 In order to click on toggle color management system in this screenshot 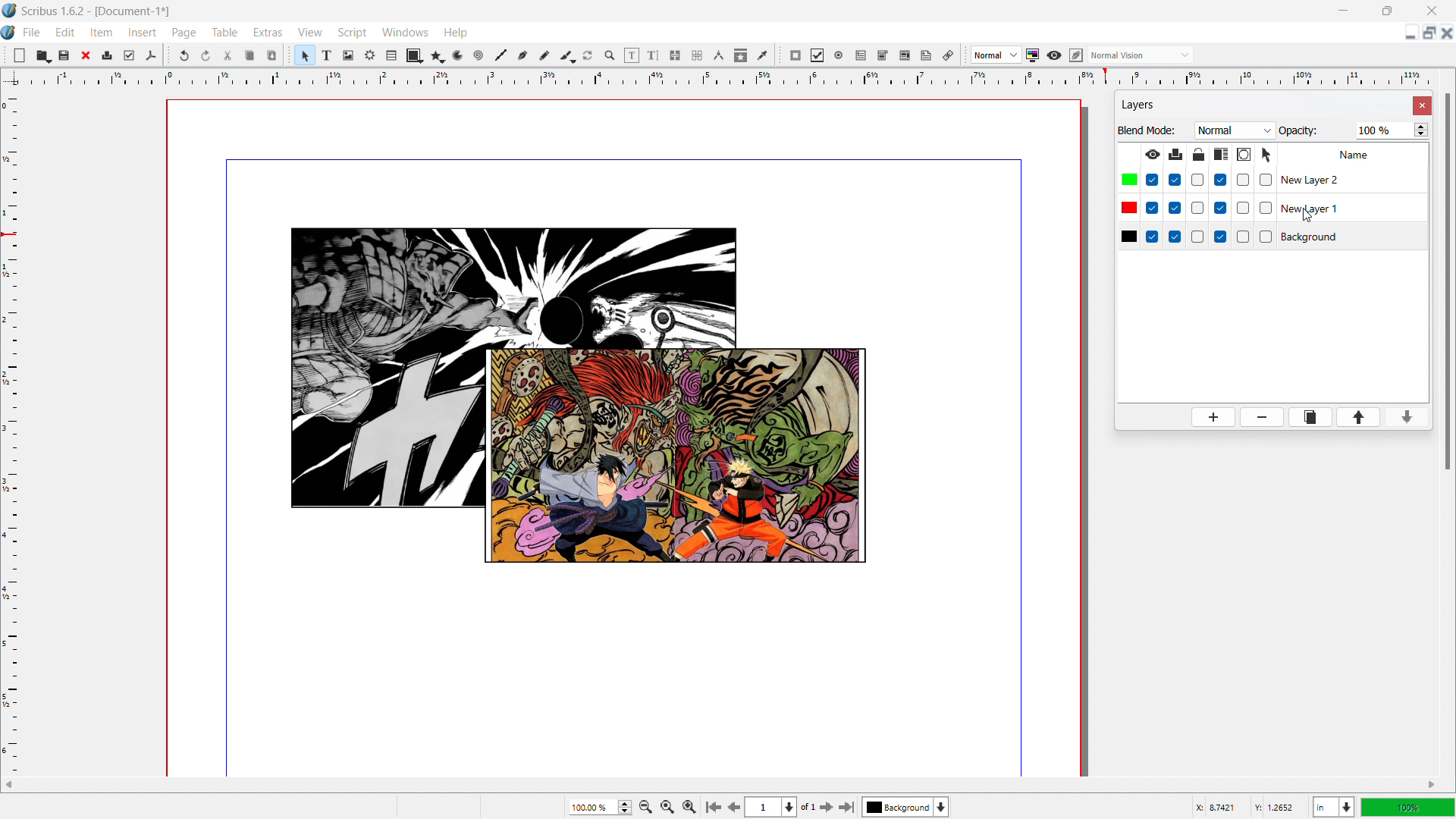, I will do `click(1032, 55)`.